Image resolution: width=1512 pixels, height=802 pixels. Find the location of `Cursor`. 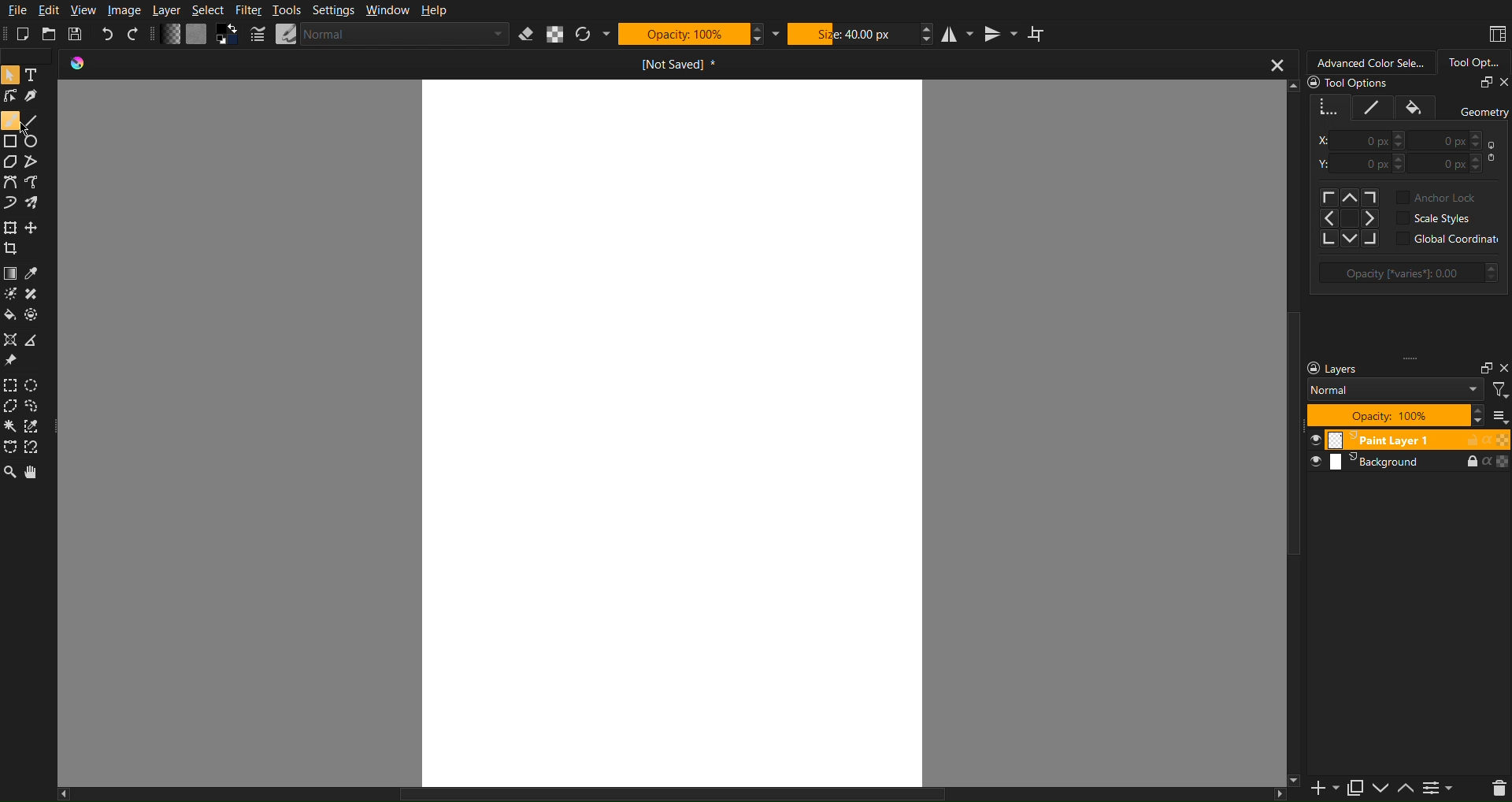

Cursor is located at coordinates (24, 131).